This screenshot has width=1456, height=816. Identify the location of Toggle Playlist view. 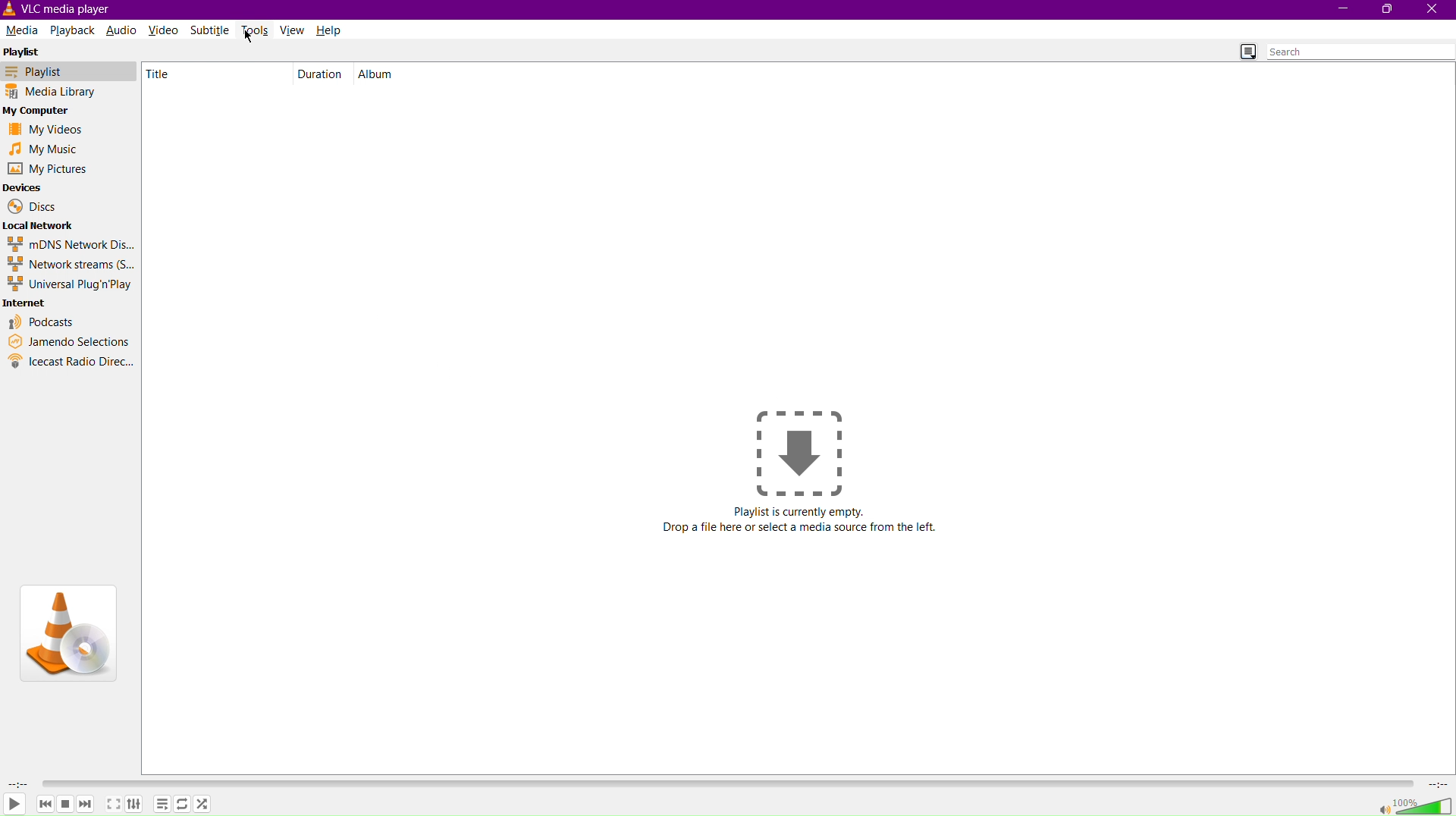
(1245, 52).